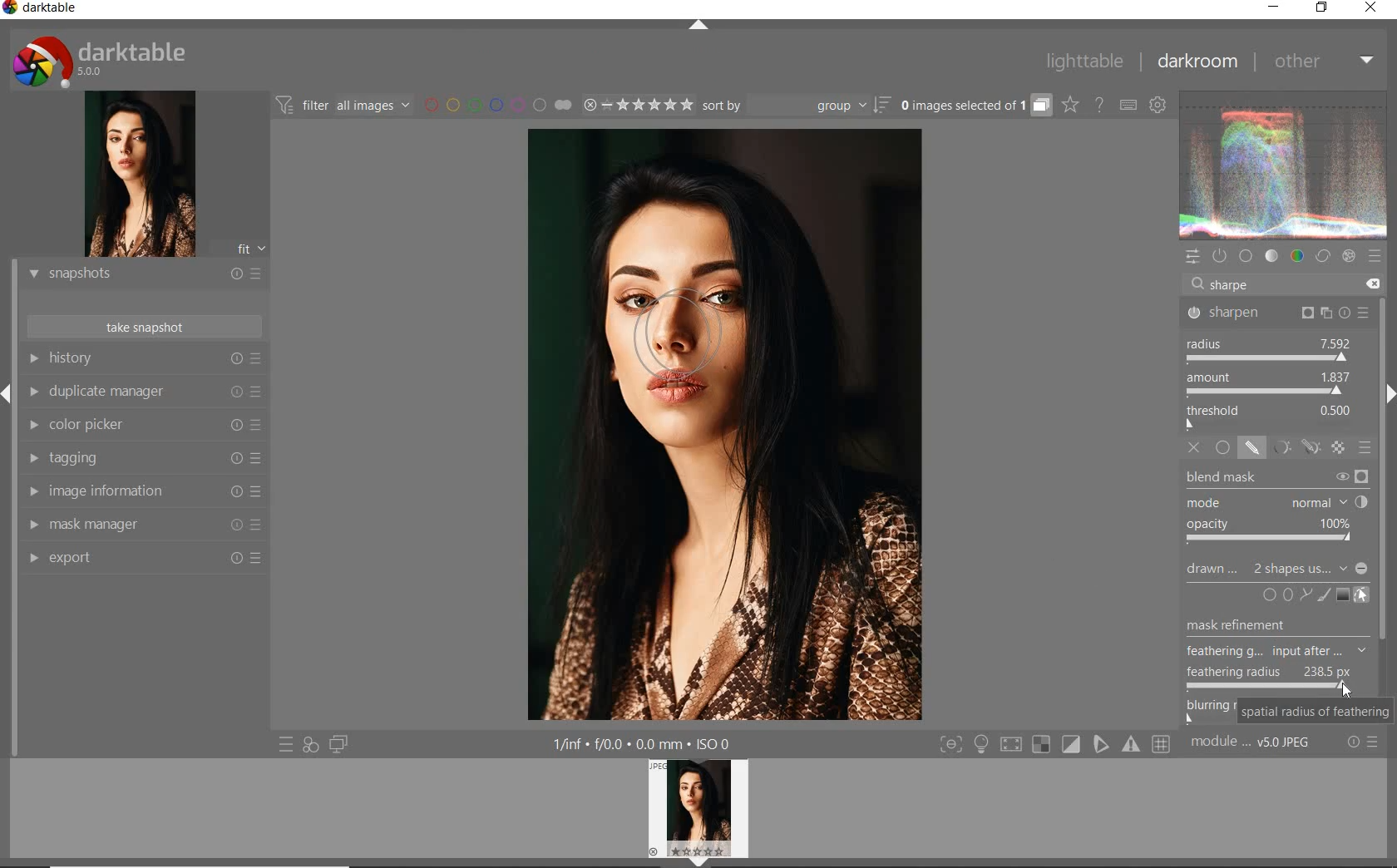 The image size is (1397, 868). I want to click on HISTORY, so click(144, 360).